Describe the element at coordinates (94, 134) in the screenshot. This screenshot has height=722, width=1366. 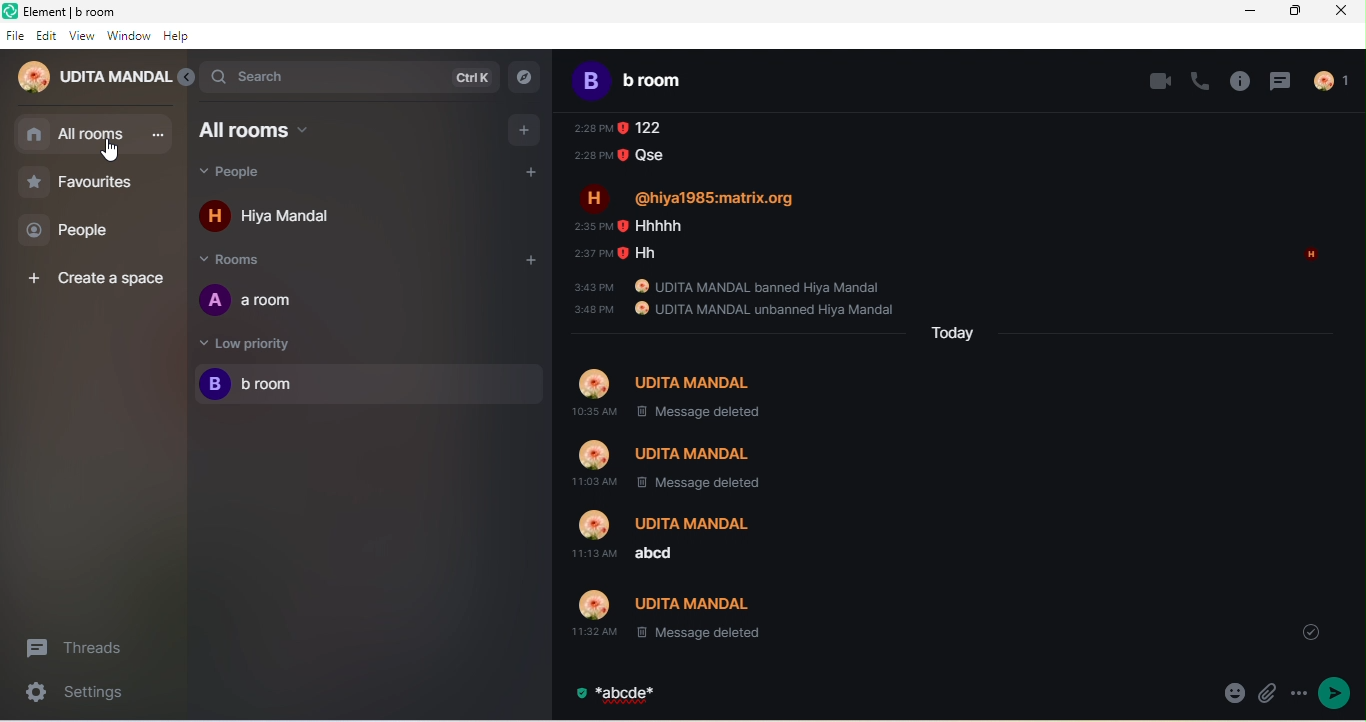
I see `all rooms` at that location.